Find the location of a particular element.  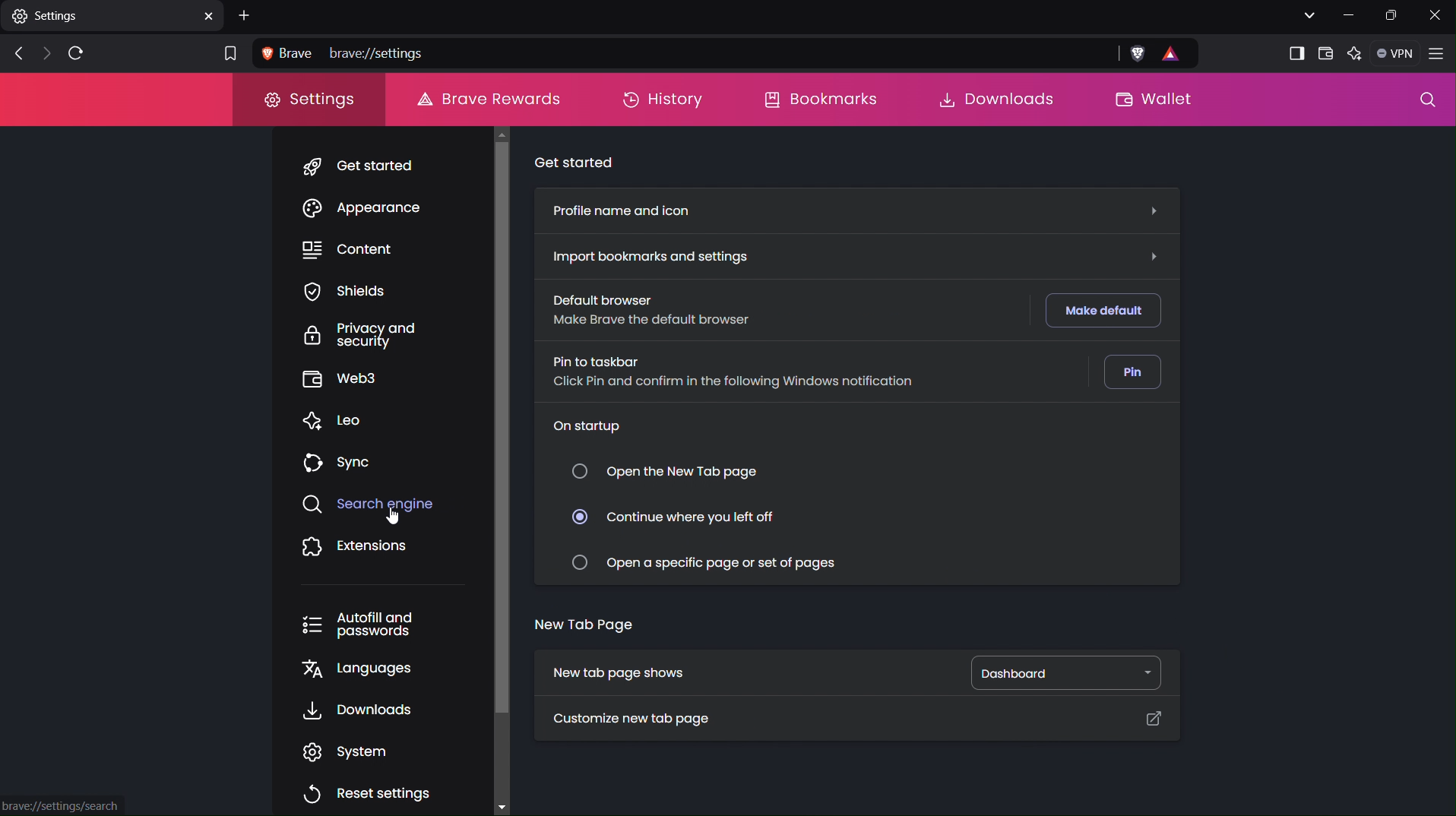

Scrollbar is located at coordinates (499, 460).